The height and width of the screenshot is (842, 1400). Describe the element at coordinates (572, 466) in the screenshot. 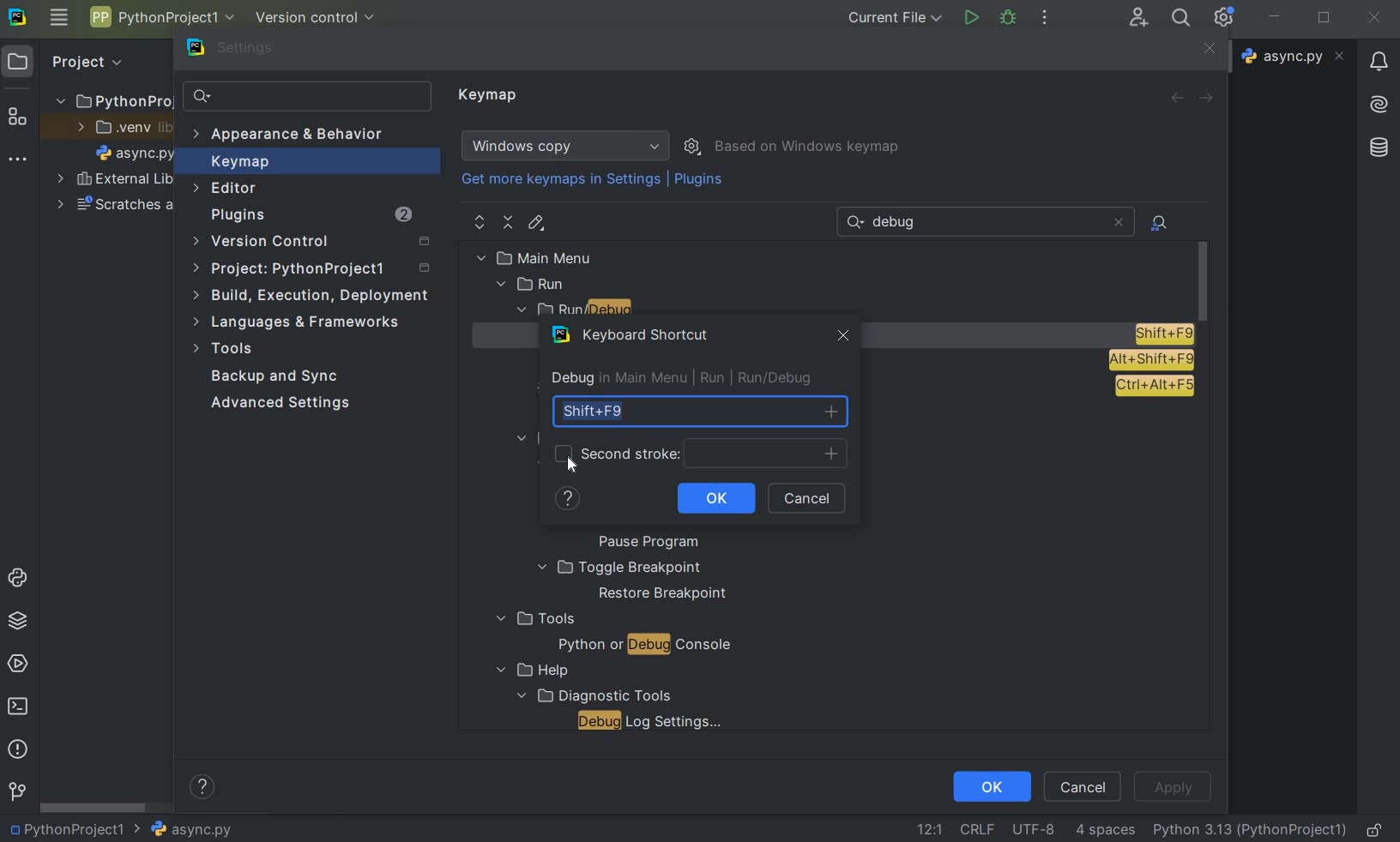

I see `cursor` at that location.